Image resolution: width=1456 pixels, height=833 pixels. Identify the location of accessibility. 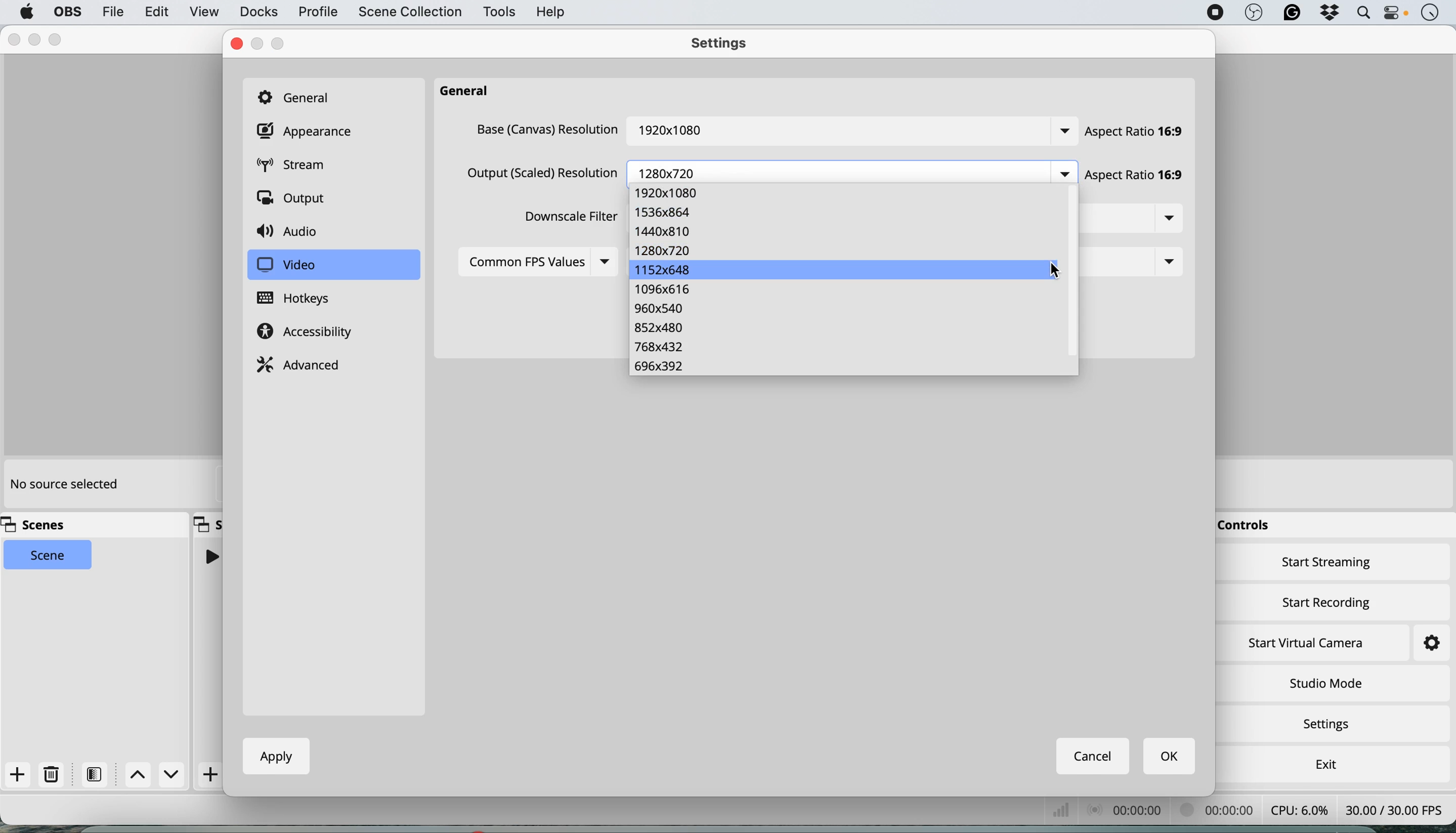
(309, 333).